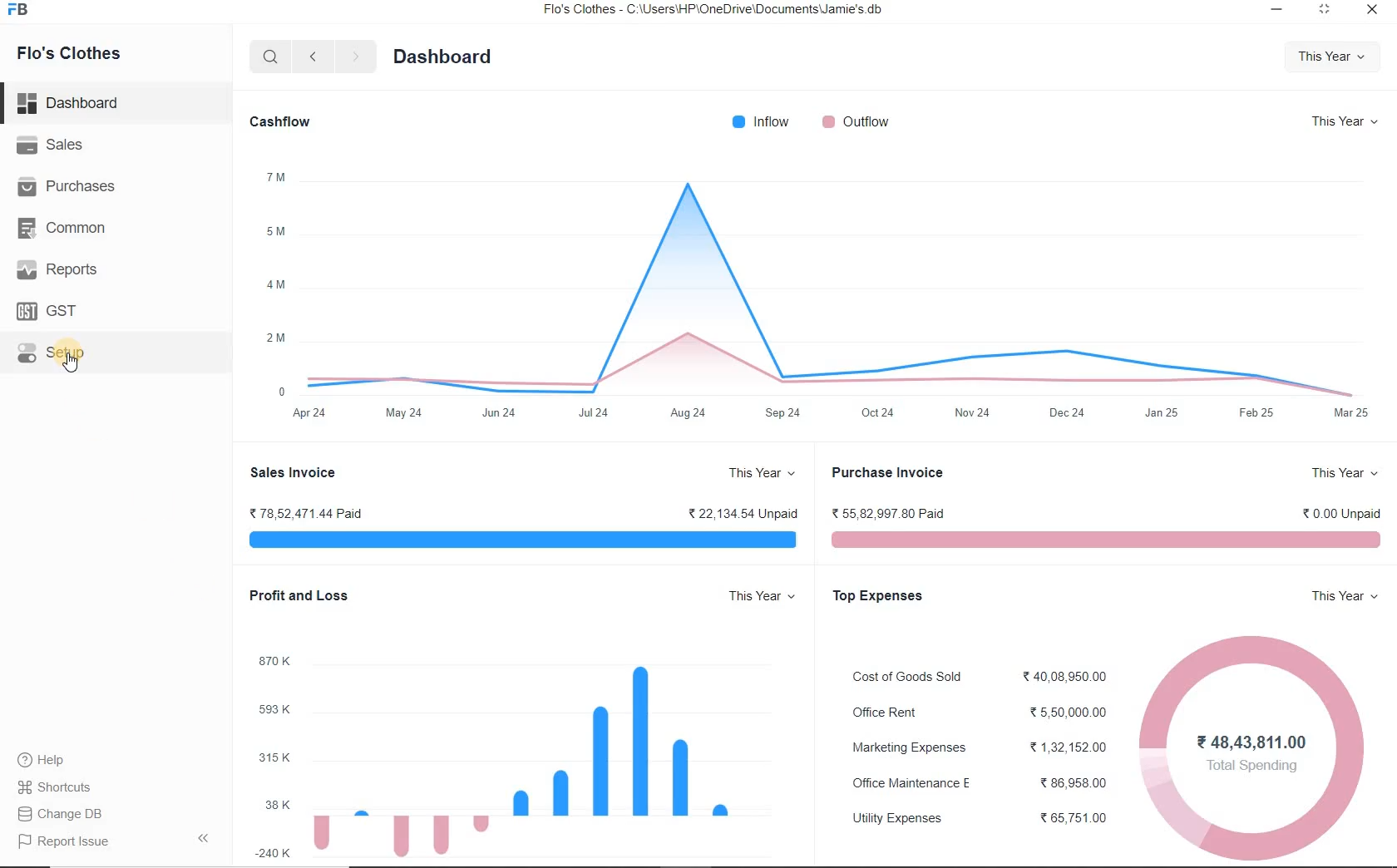 Image resolution: width=1397 pixels, height=868 pixels. I want to click on Feb 25, so click(1256, 413).